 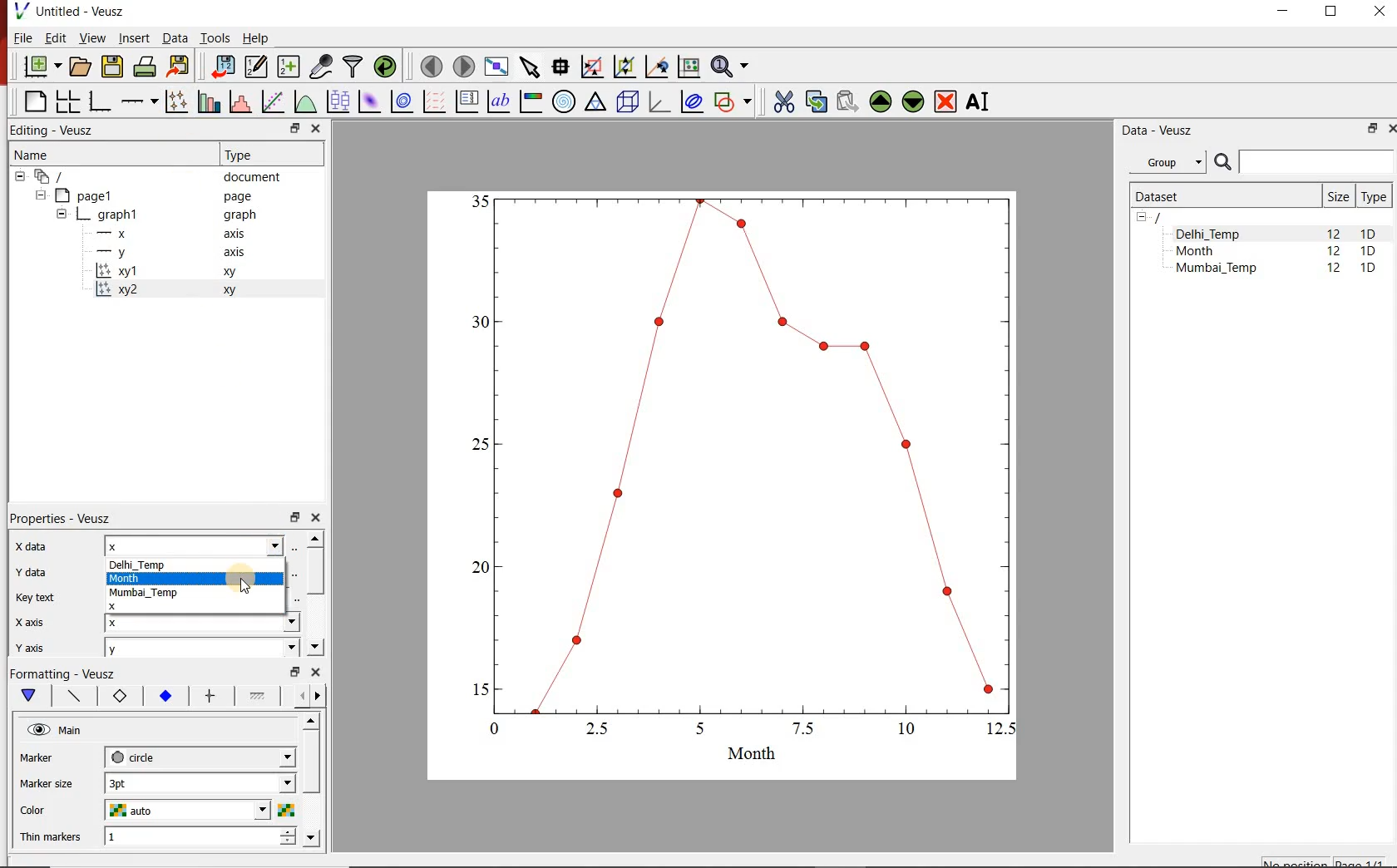 What do you see at coordinates (1334, 253) in the screenshot?
I see `12` at bounding box center [1334, 253].